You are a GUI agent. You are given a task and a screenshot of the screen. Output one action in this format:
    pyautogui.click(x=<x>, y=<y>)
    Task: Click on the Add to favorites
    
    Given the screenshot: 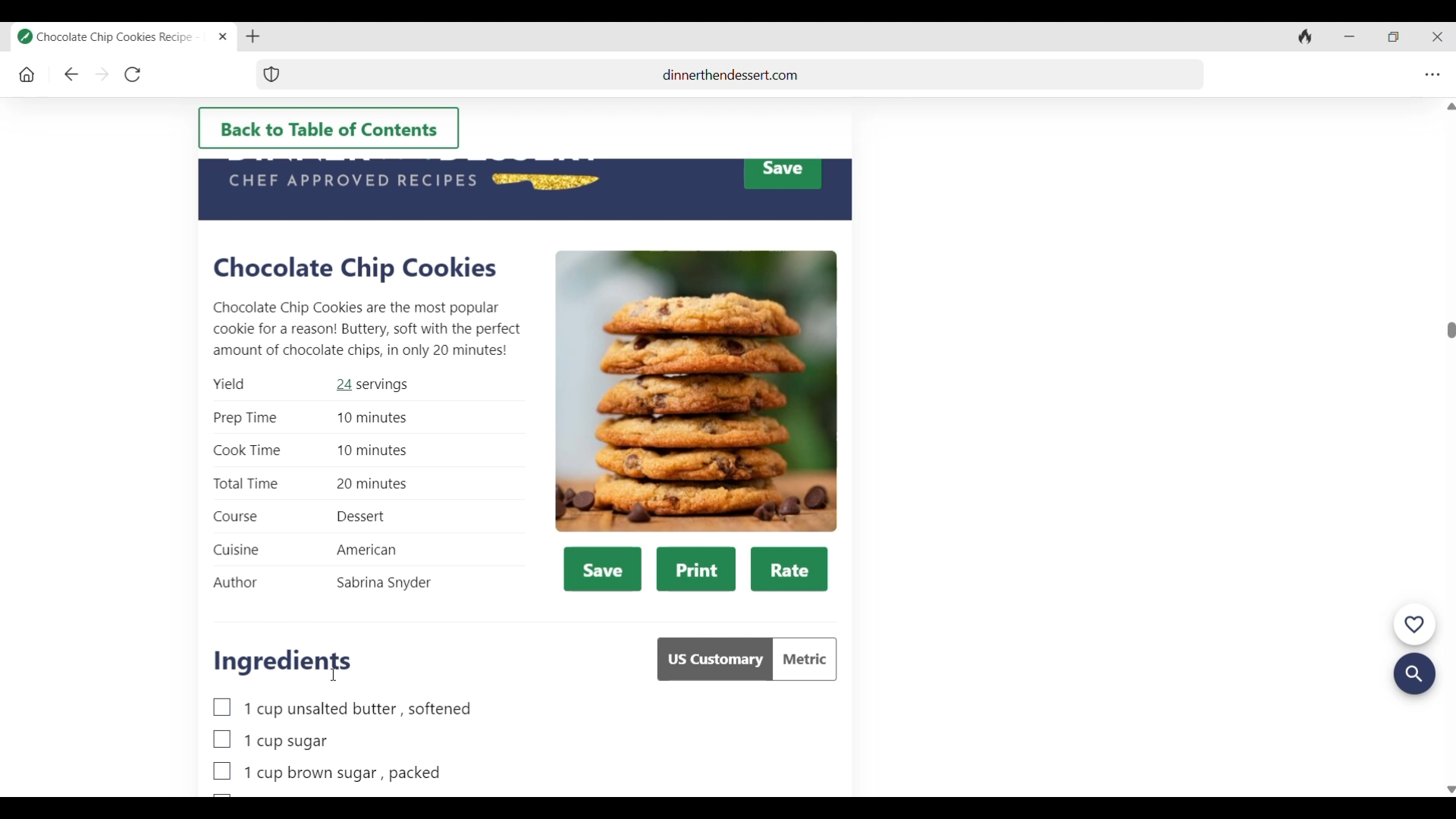 What is the action you would take?
    pyautogui.click(x=1414, y=626)
    